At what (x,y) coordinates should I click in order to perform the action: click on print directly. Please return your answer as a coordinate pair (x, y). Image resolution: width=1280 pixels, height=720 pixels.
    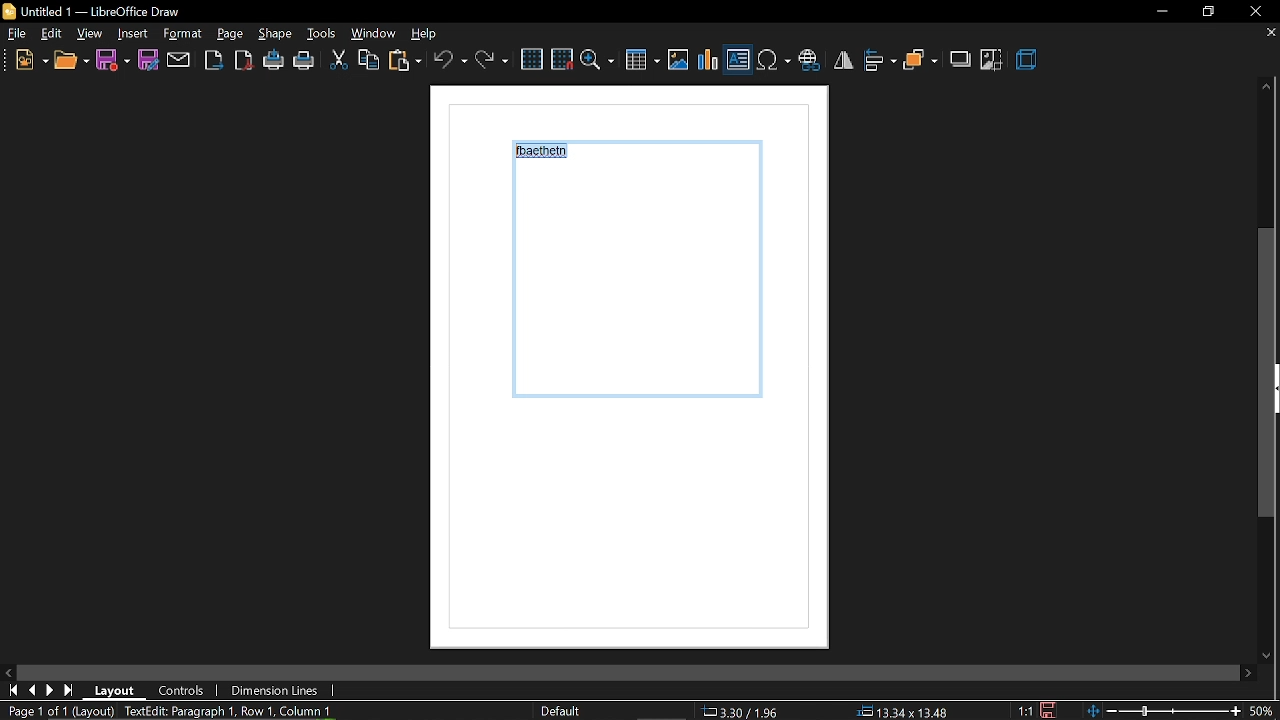
    Looking at the image, I should click on (274, 59).